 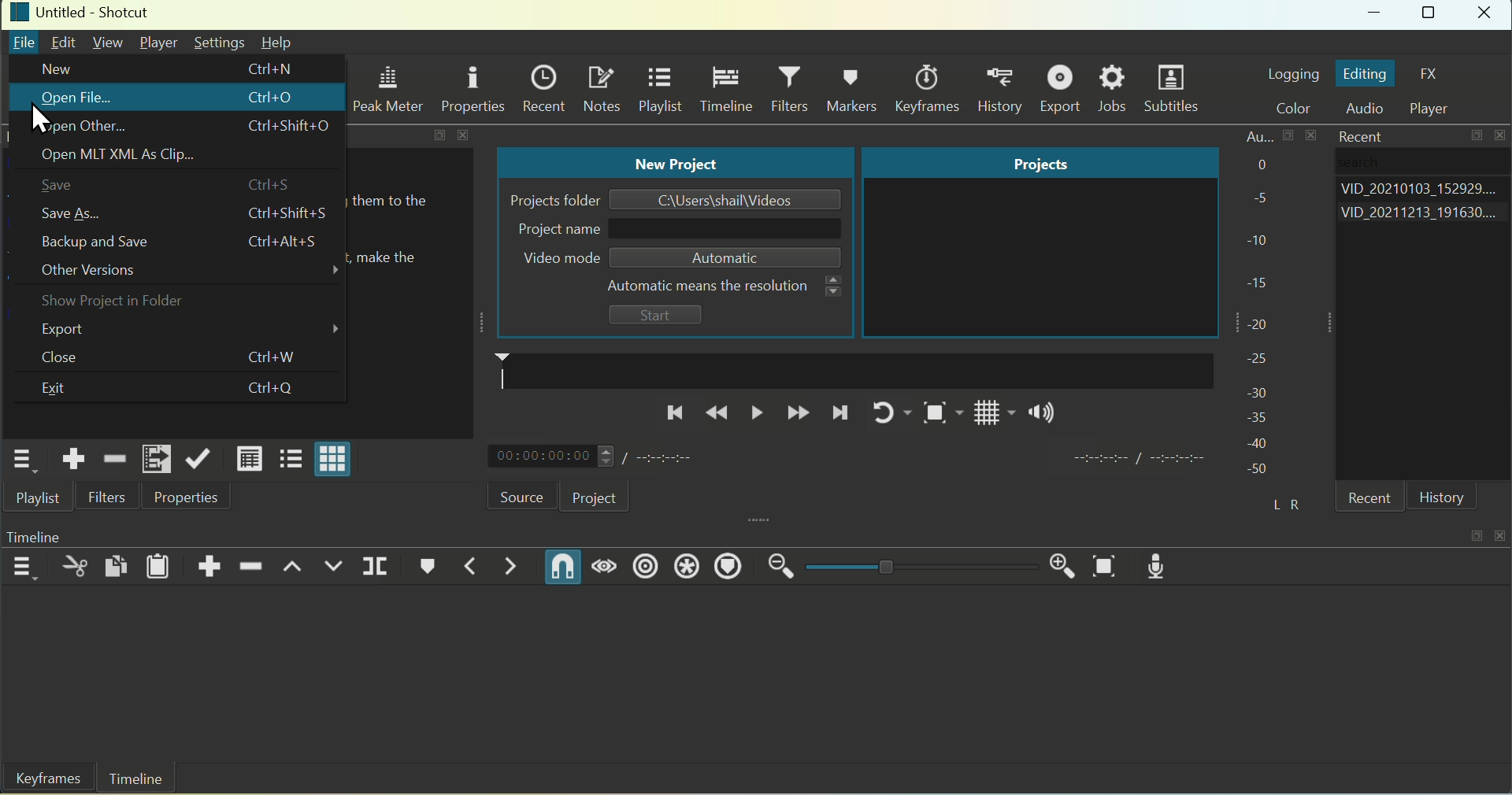 I want to click on Keyframes, so click(x=43, y=780).